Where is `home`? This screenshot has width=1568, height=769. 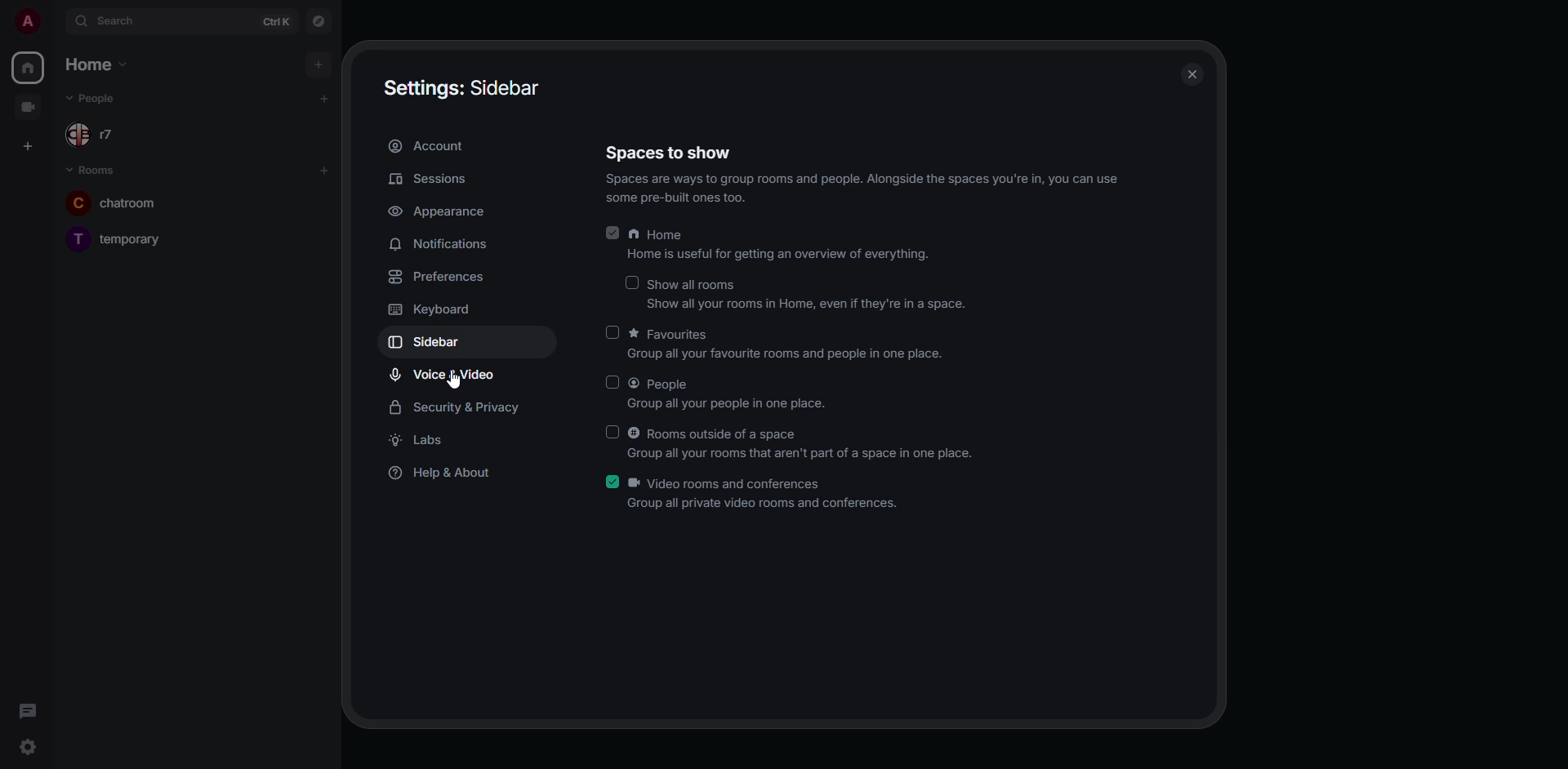
home is located at coordinates (29, 66).